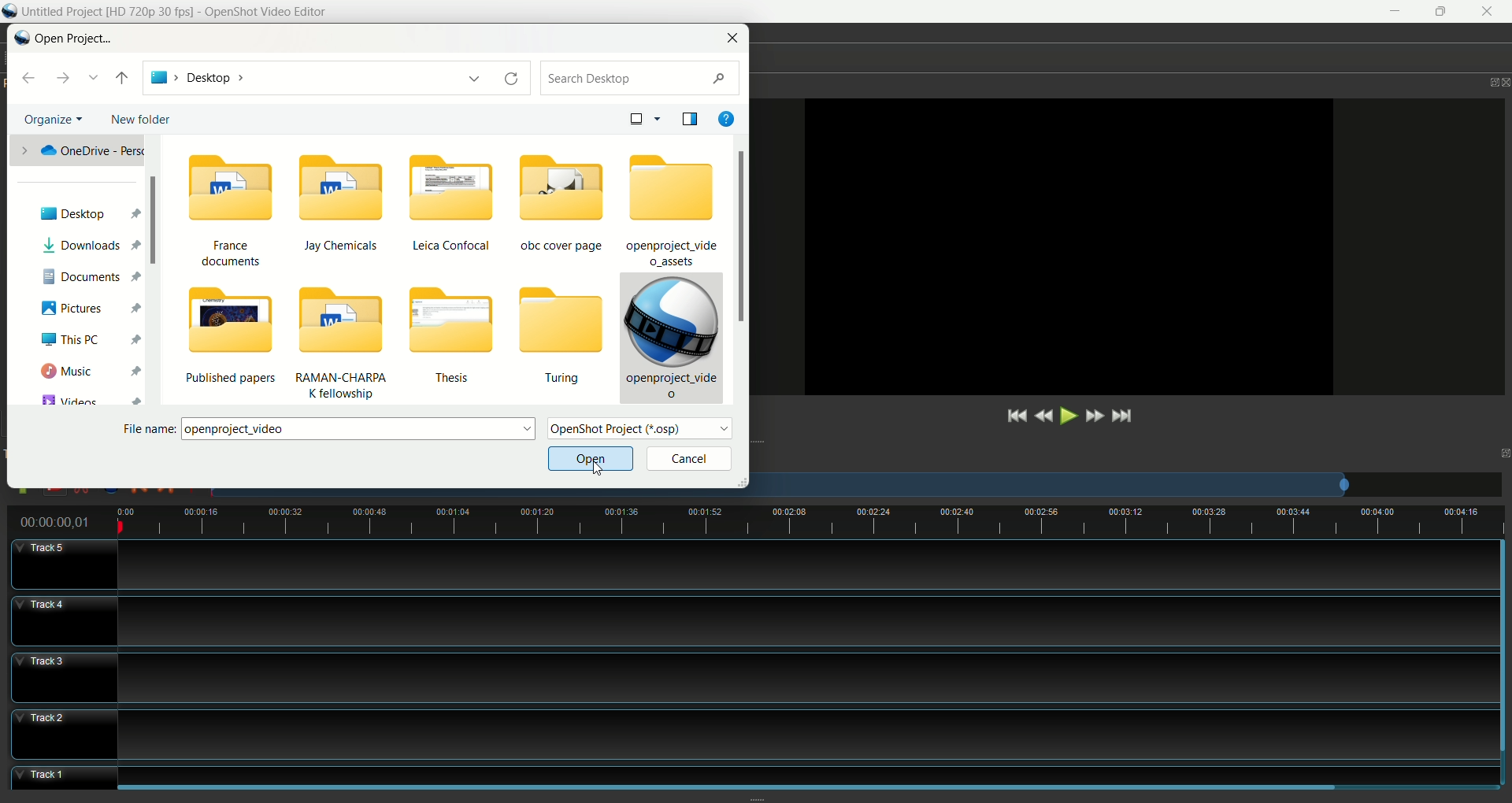 This screenshot has width=1512, height=803. What do you see at coordinates (1045, 417) in the screenshot?
I see `rewind` at bounding box center [1045, 417].